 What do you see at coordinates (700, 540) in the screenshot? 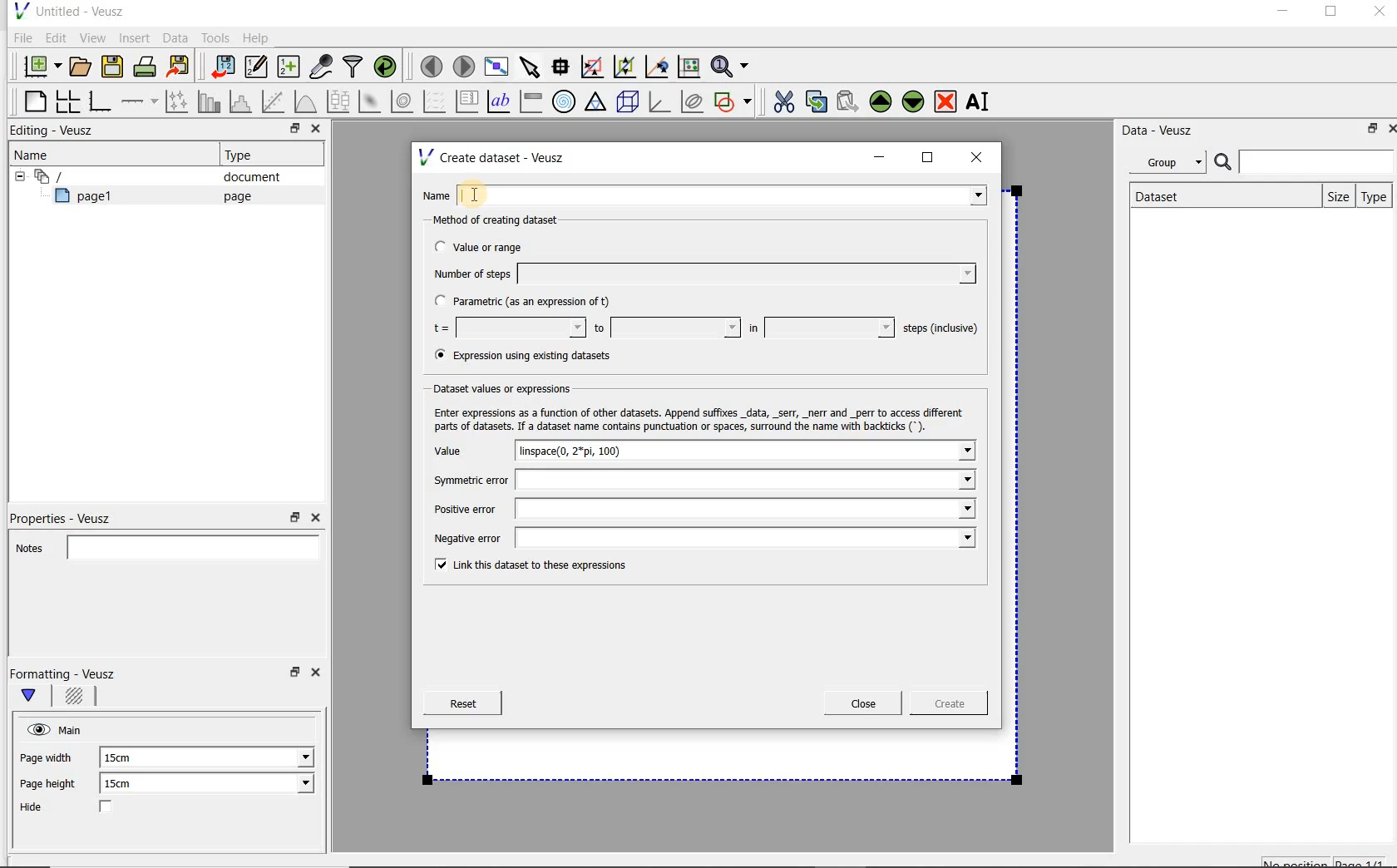
I see `Negative error ` at bounding box center [700, 540].